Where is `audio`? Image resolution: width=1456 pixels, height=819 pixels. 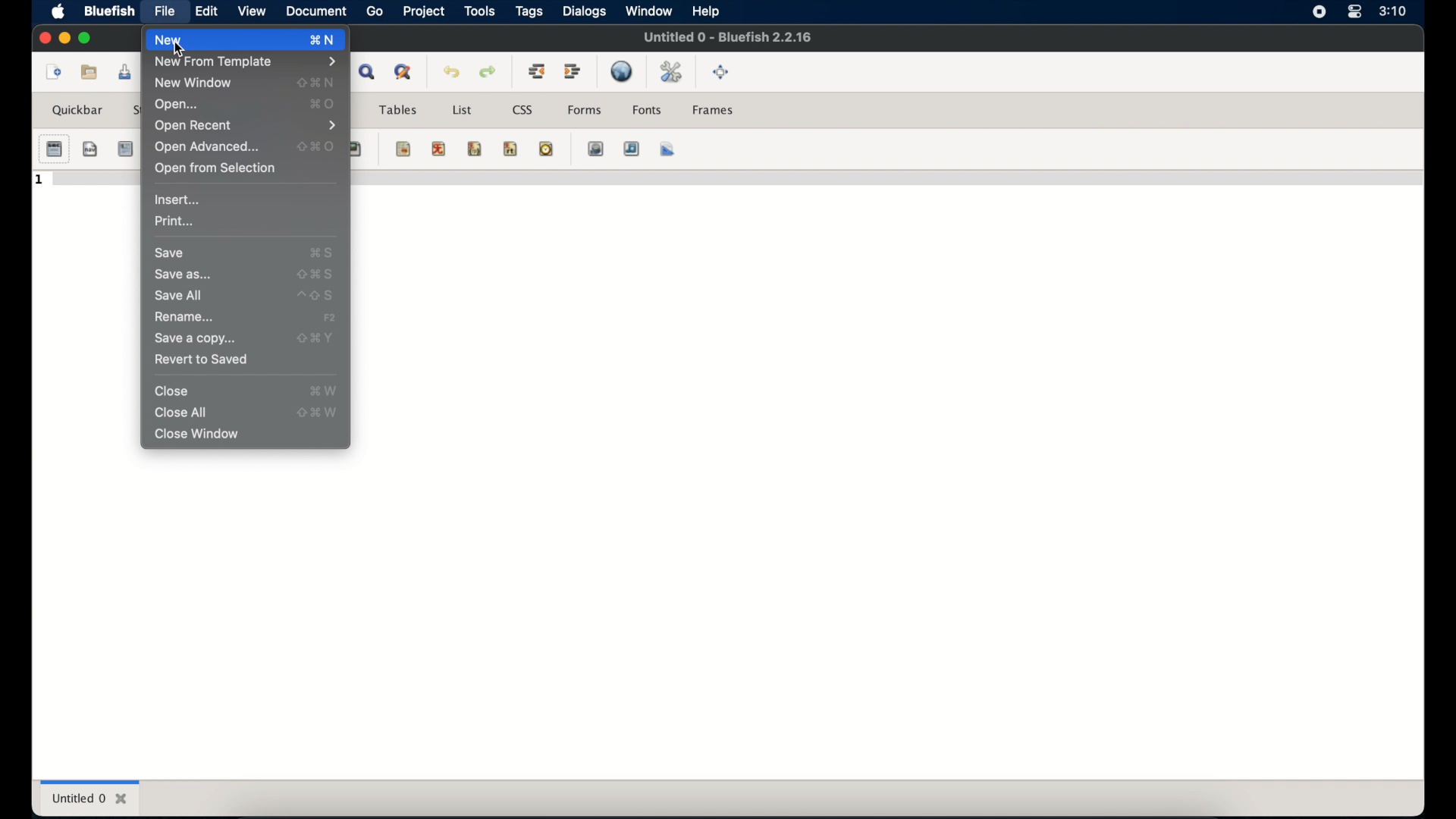 audio is located at coordinates (632, 149).